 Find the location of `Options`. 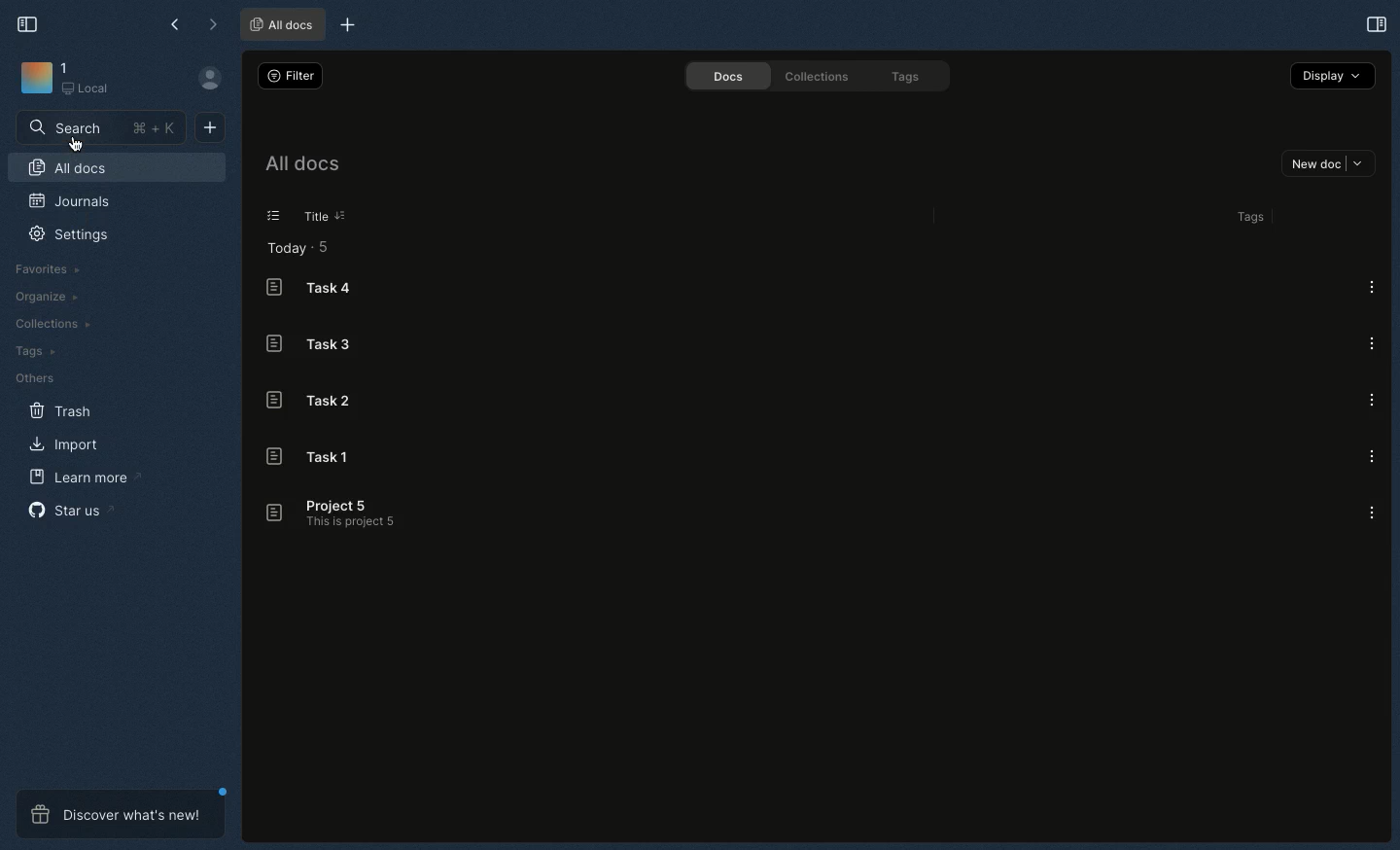

Options is located at coordinates (1372, 341).